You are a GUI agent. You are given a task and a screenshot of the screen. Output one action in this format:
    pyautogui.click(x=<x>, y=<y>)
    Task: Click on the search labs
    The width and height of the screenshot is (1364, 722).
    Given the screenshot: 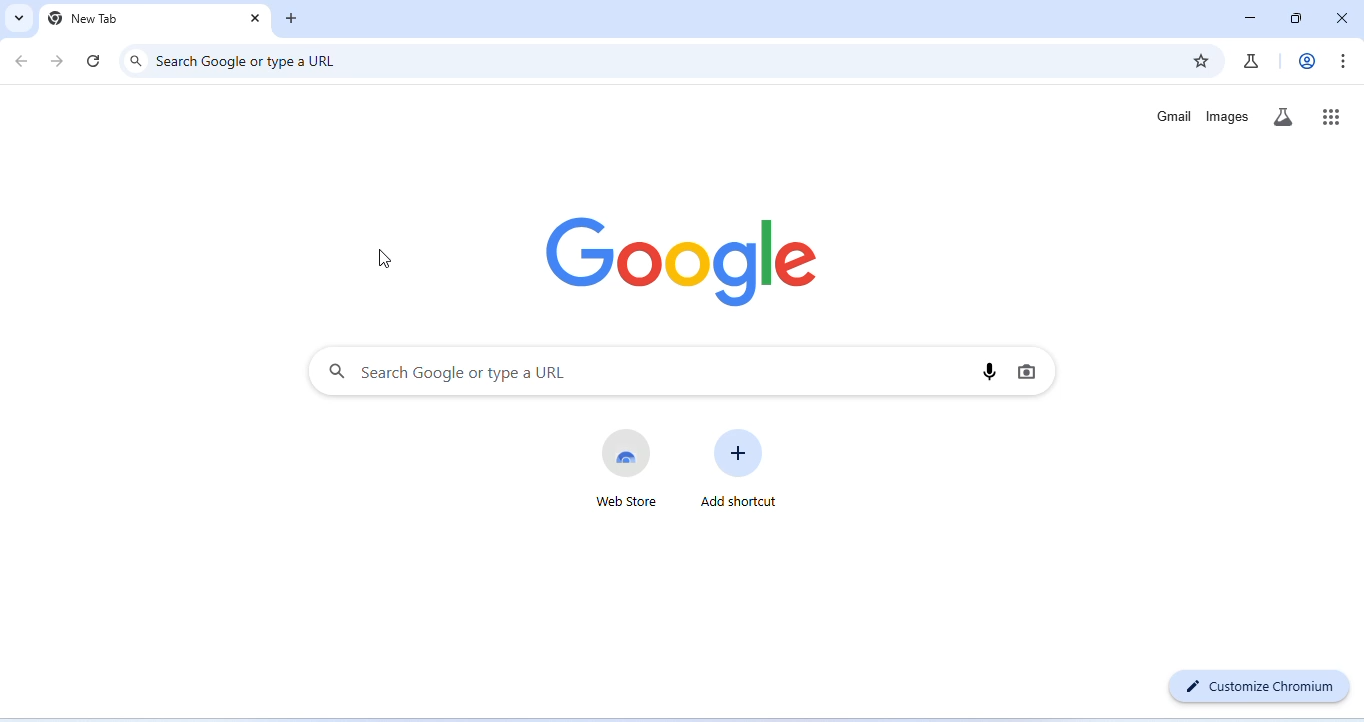 What is the action you would take?
    pyautogui.click(x=1282, y=118)
    